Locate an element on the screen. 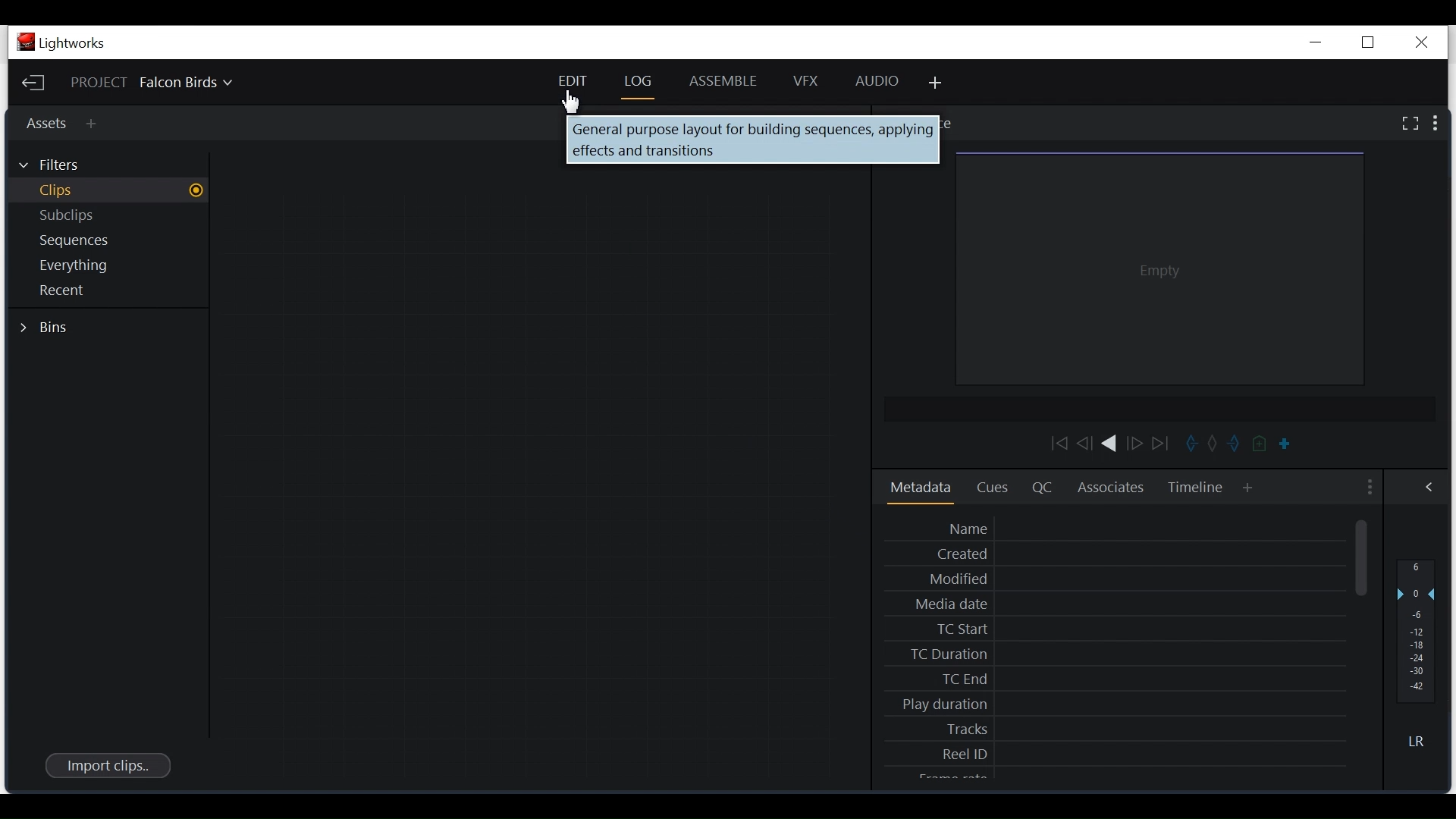 The height and width of the screenshot is (819, 1456). Media Viewer is located at coordinates (1162, 271).